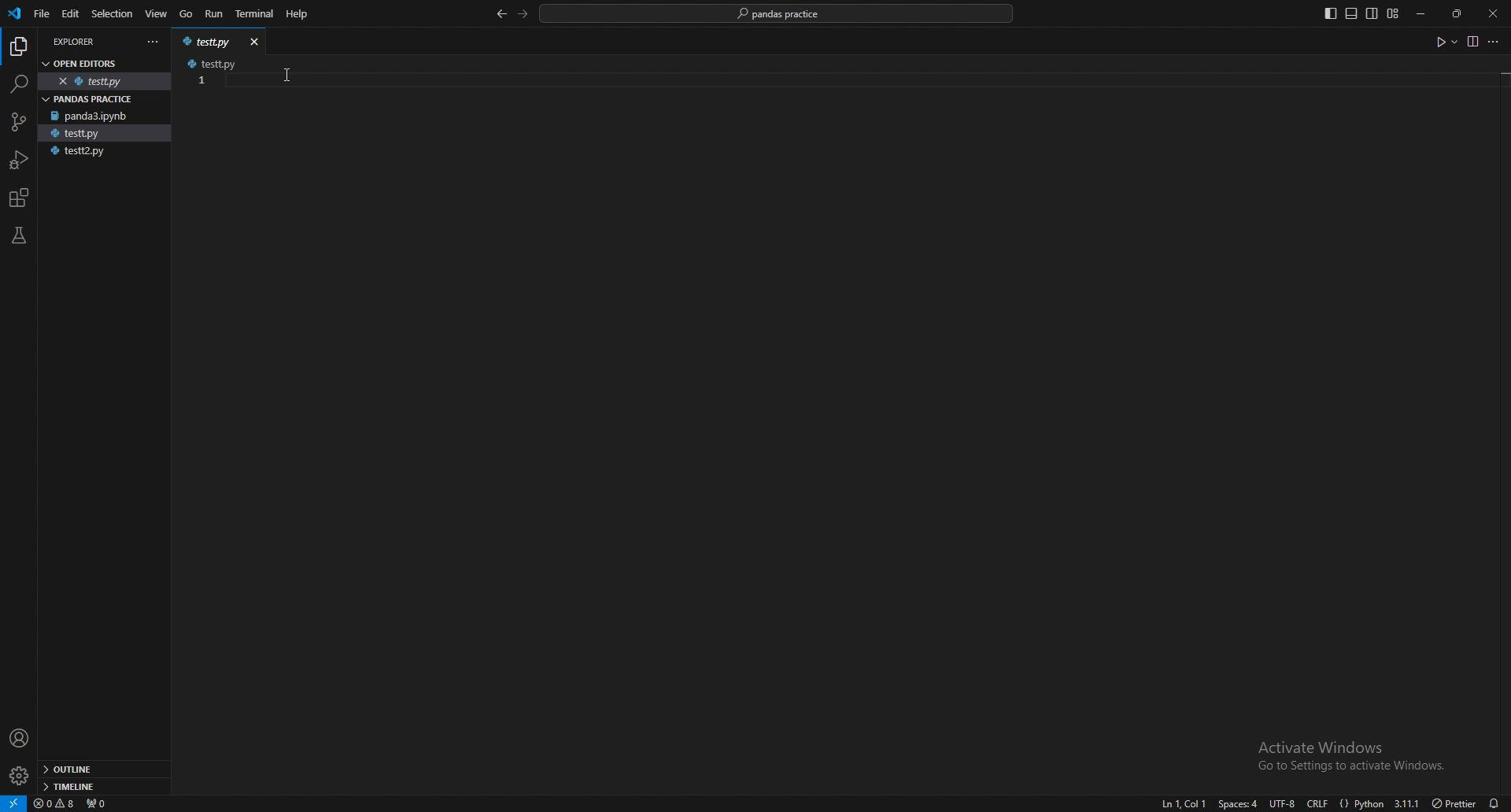 The height and width of the screenshot is (812, 1511). Describe the element at coordinates (1454, 802) in the screenshot. I see `) Prettier` at that location.